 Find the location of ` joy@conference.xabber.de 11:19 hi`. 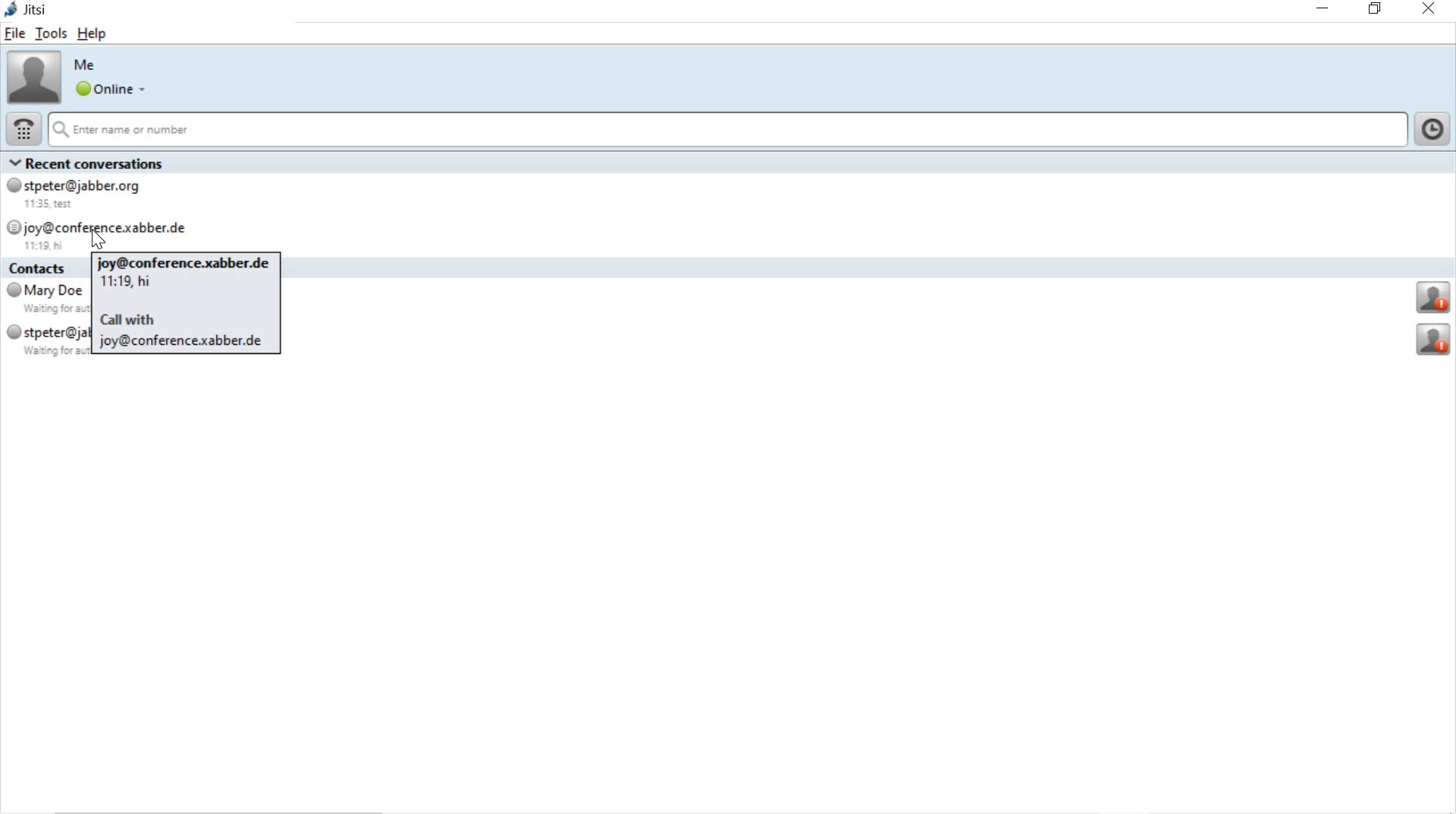

 joy@conference.xabber.de 11:19 hi is located at coordinates (102, 236).